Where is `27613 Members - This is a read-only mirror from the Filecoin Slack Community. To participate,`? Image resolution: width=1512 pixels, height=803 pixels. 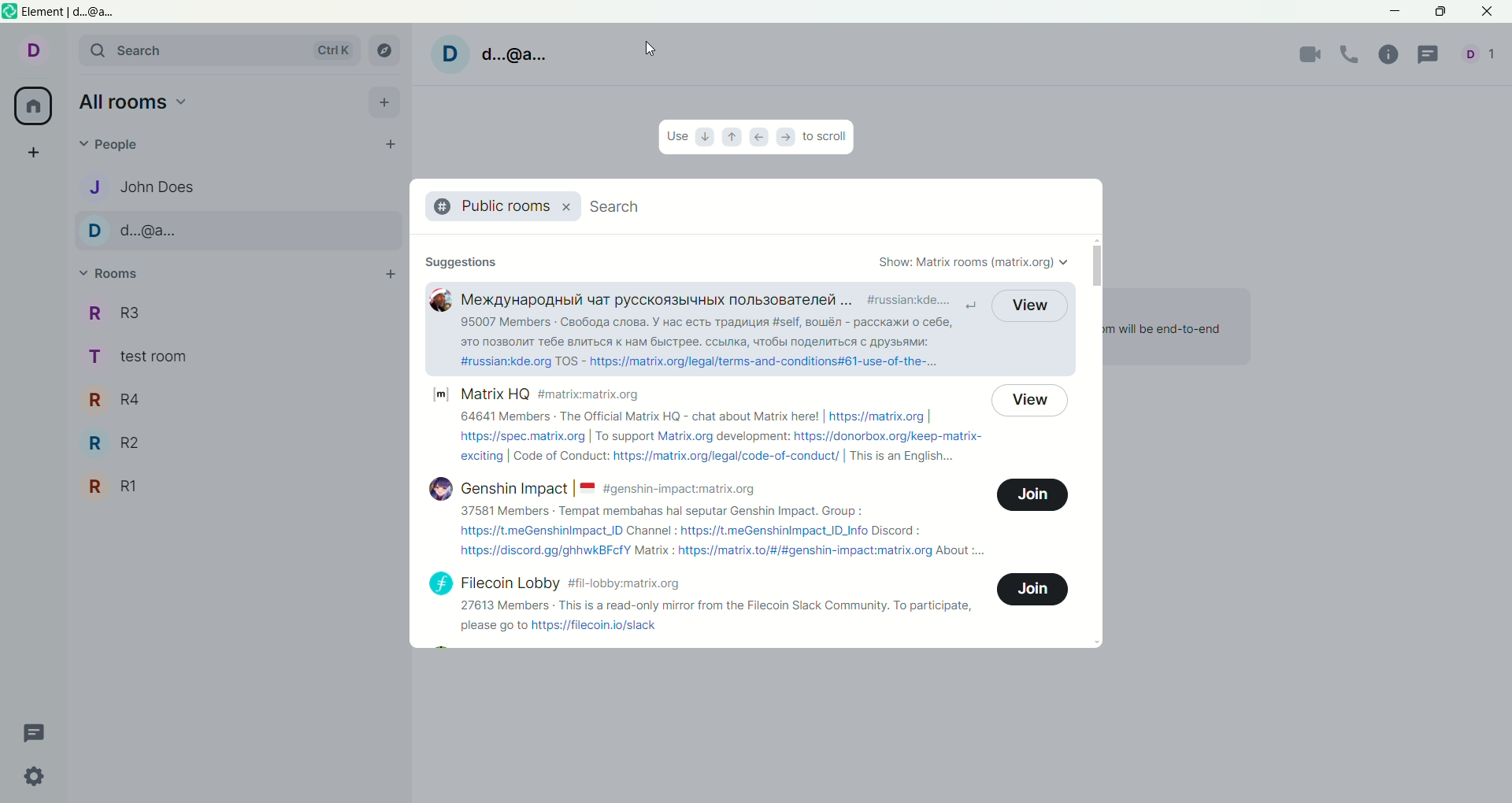
27613 Members - This is a read-only mirror from the Filecoin Slack Community. To participate, is located at coordinates (717, 606).